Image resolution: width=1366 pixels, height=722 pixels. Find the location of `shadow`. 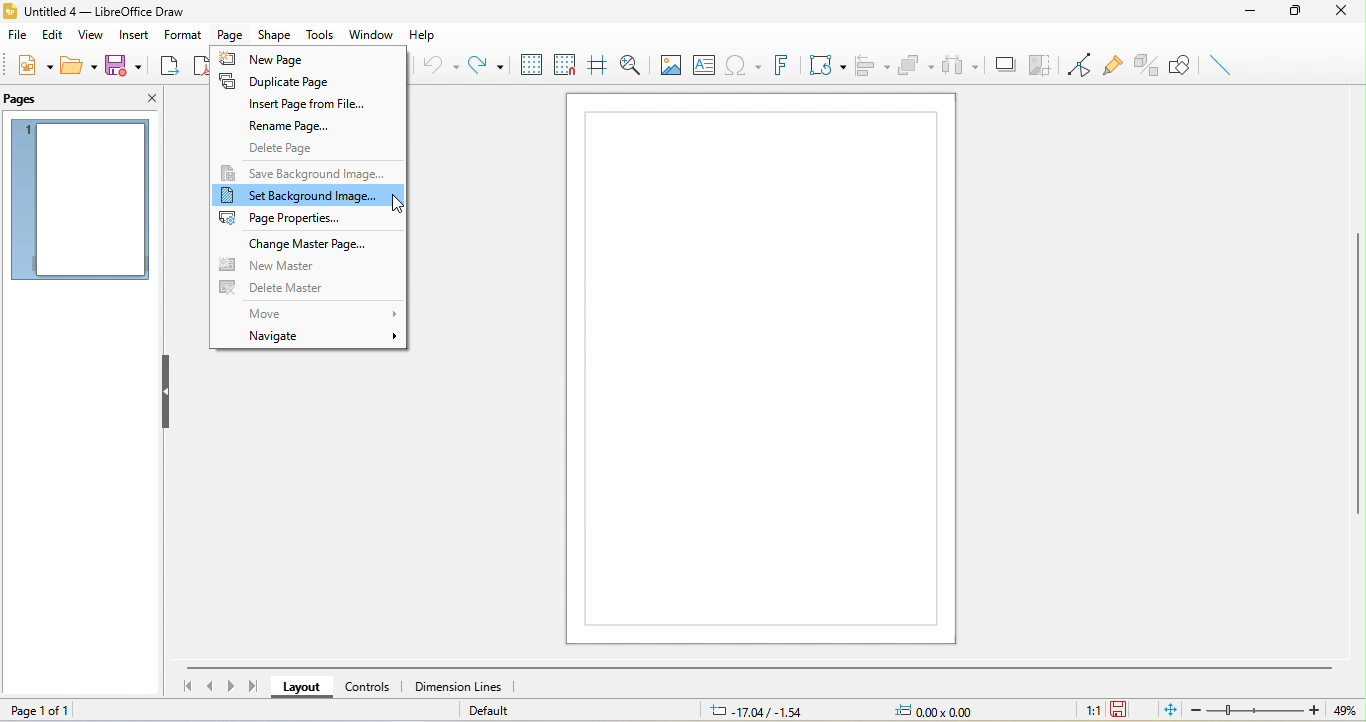

shadow is located at coordinates (1005, 65).